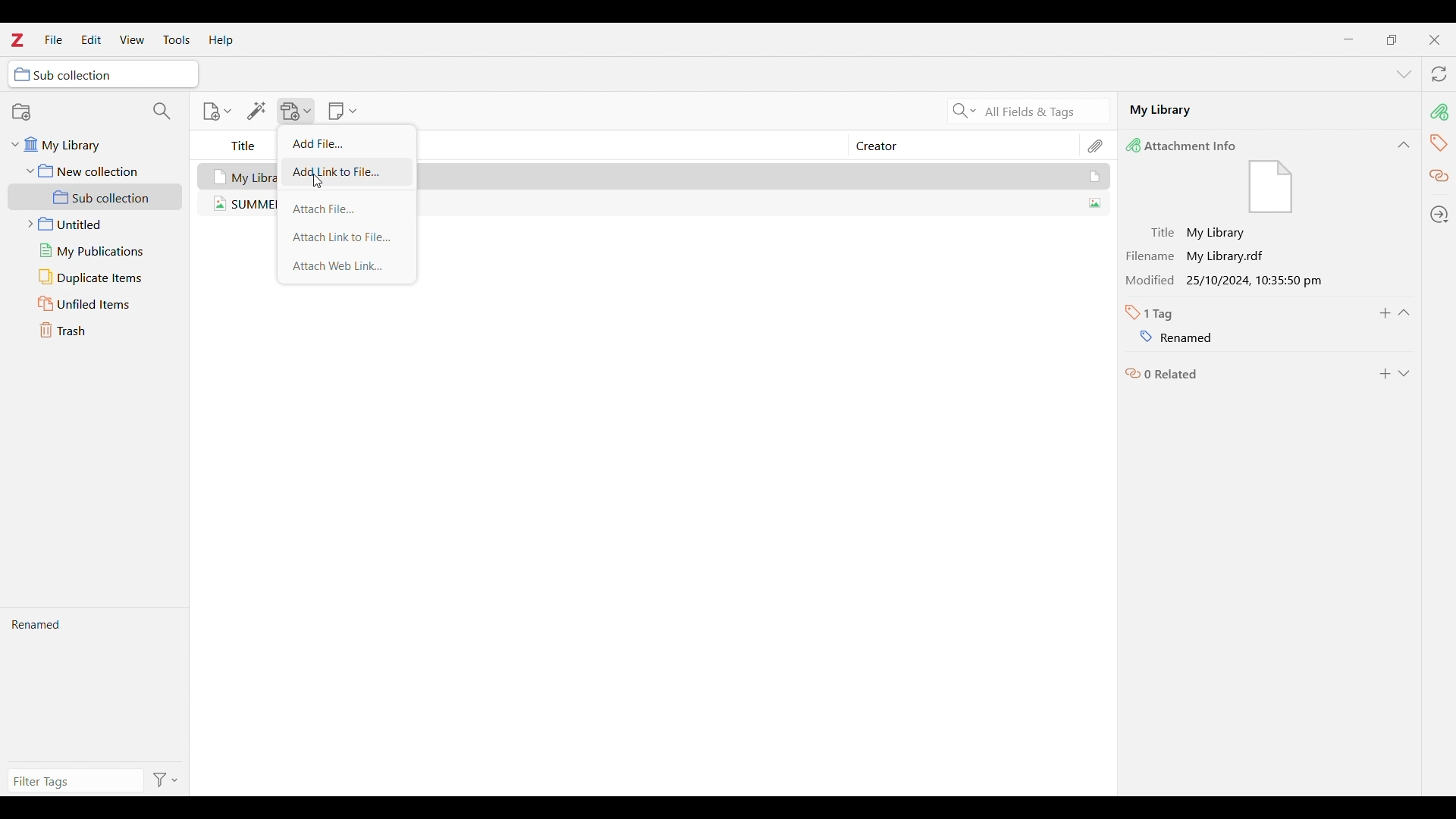 Image resolution: width=1456 pixels, height=819 pixels. I want to click on Collapse, so click(1404, 145).